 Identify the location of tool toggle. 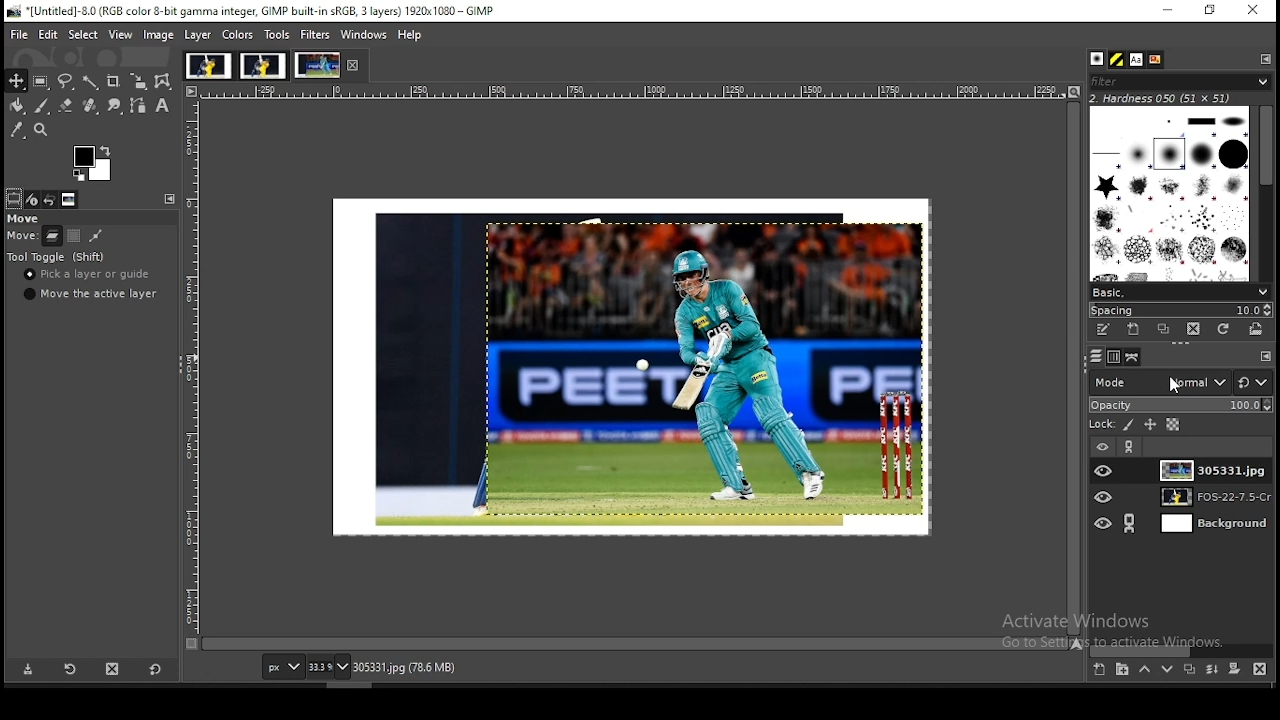
(57, 256).